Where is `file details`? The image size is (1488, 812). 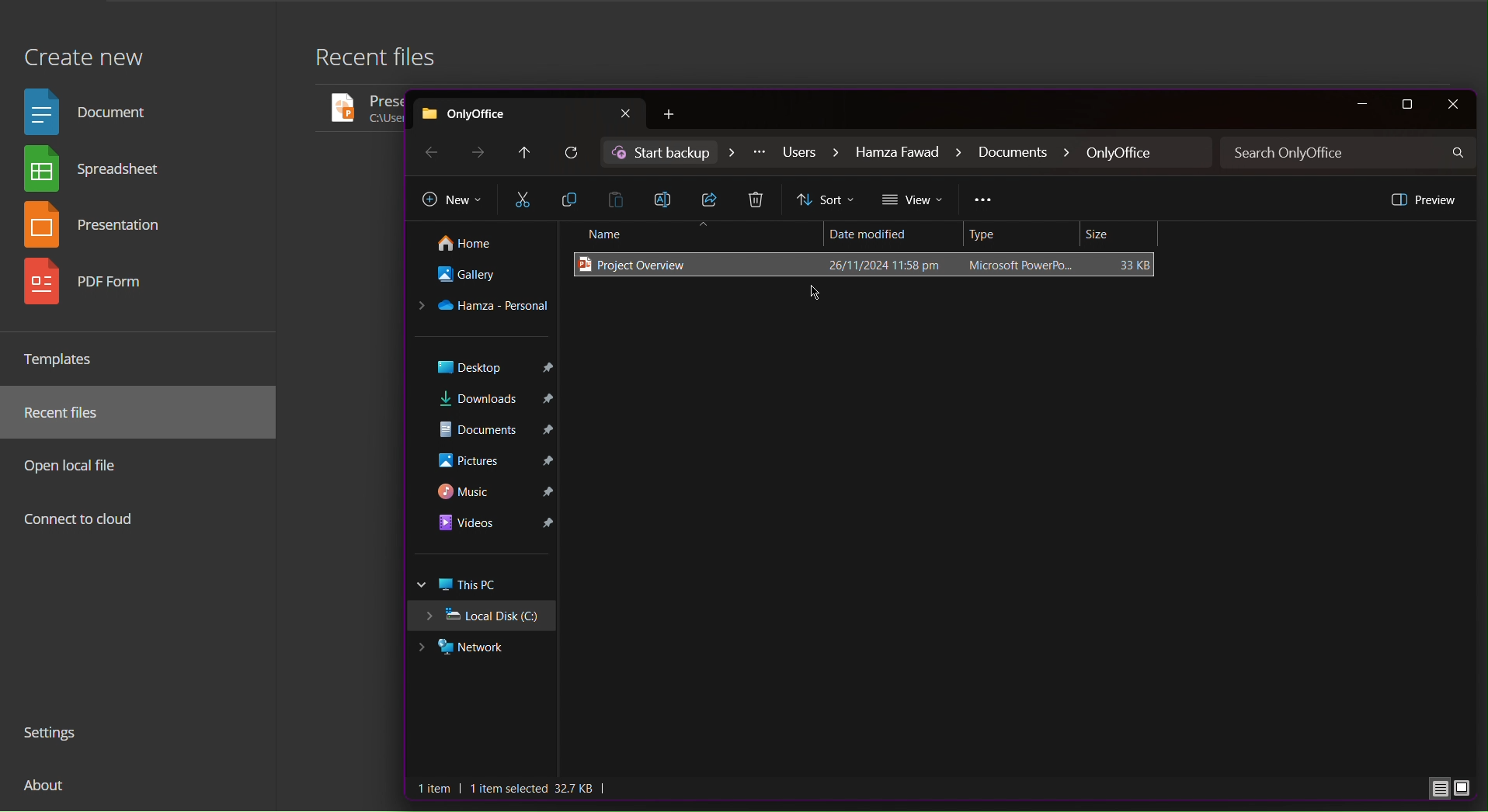 file details is located at coordinates (974, 265).